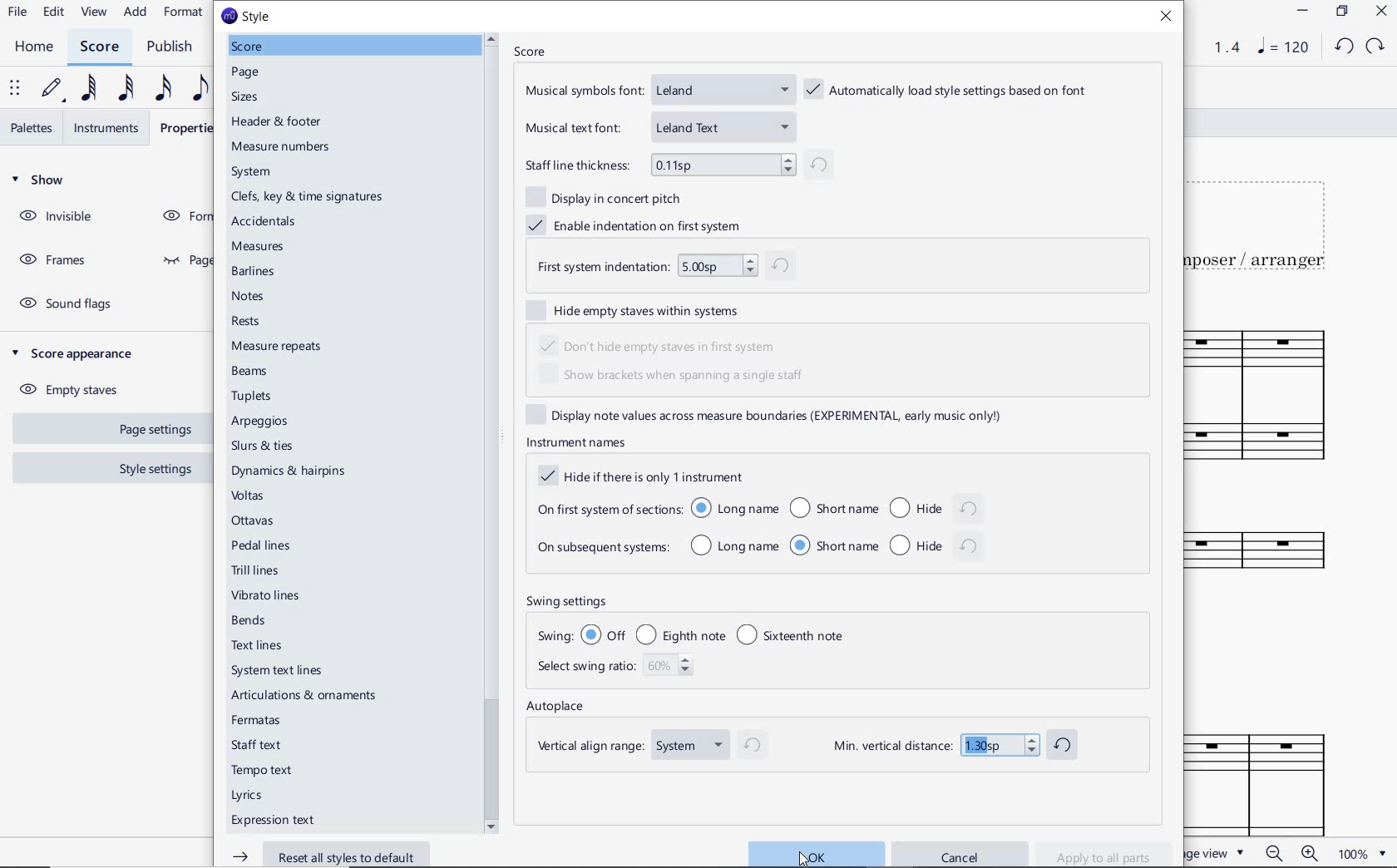 This screenshot has width=1397, height=868. I want to click on RESTORE DOWN, so click(1340, 12).